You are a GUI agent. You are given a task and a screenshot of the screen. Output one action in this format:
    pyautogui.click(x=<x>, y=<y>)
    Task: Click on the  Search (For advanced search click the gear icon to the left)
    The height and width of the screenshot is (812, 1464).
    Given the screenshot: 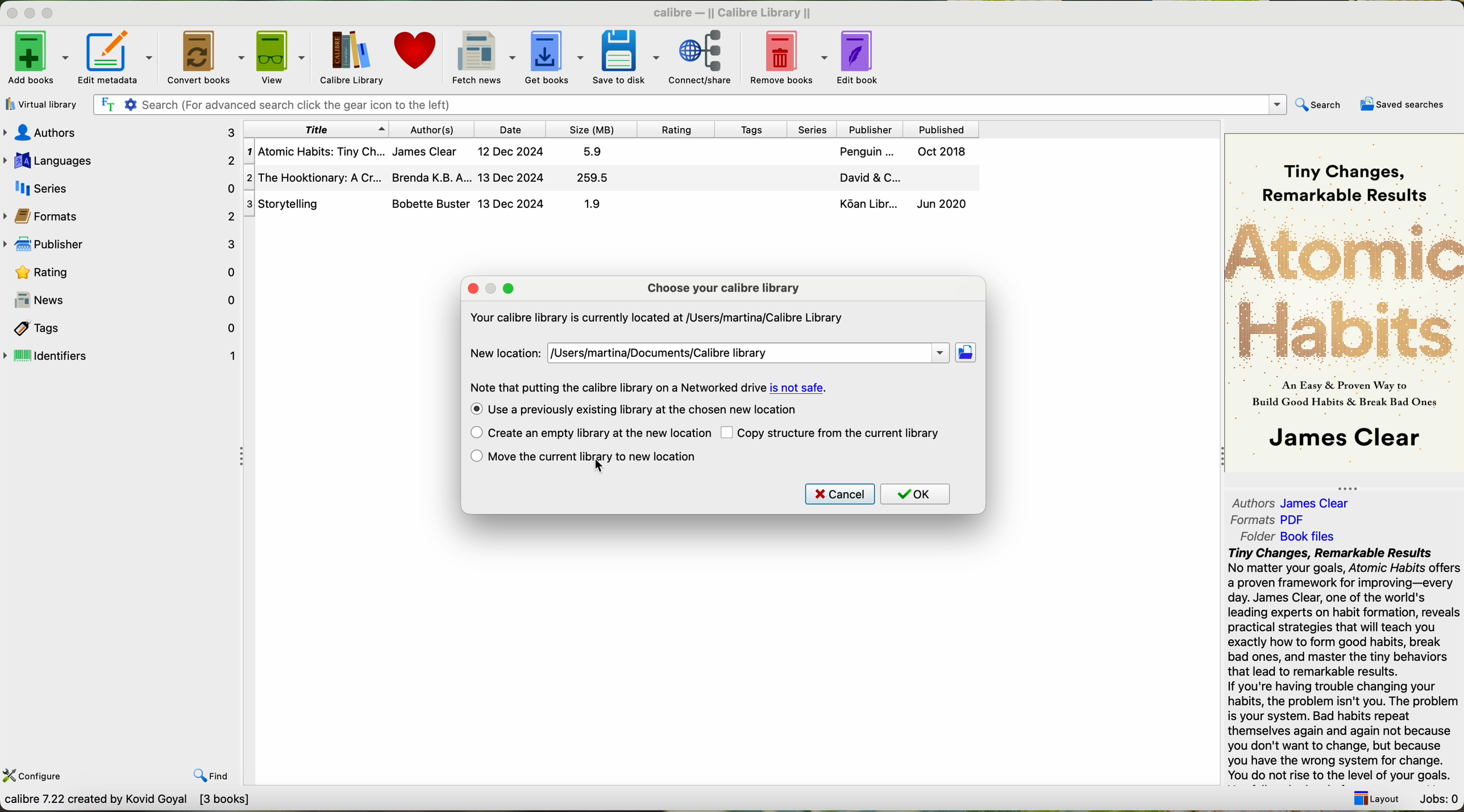 What is the action you would take?
    pyautogui.click(x=692, y=106)
    